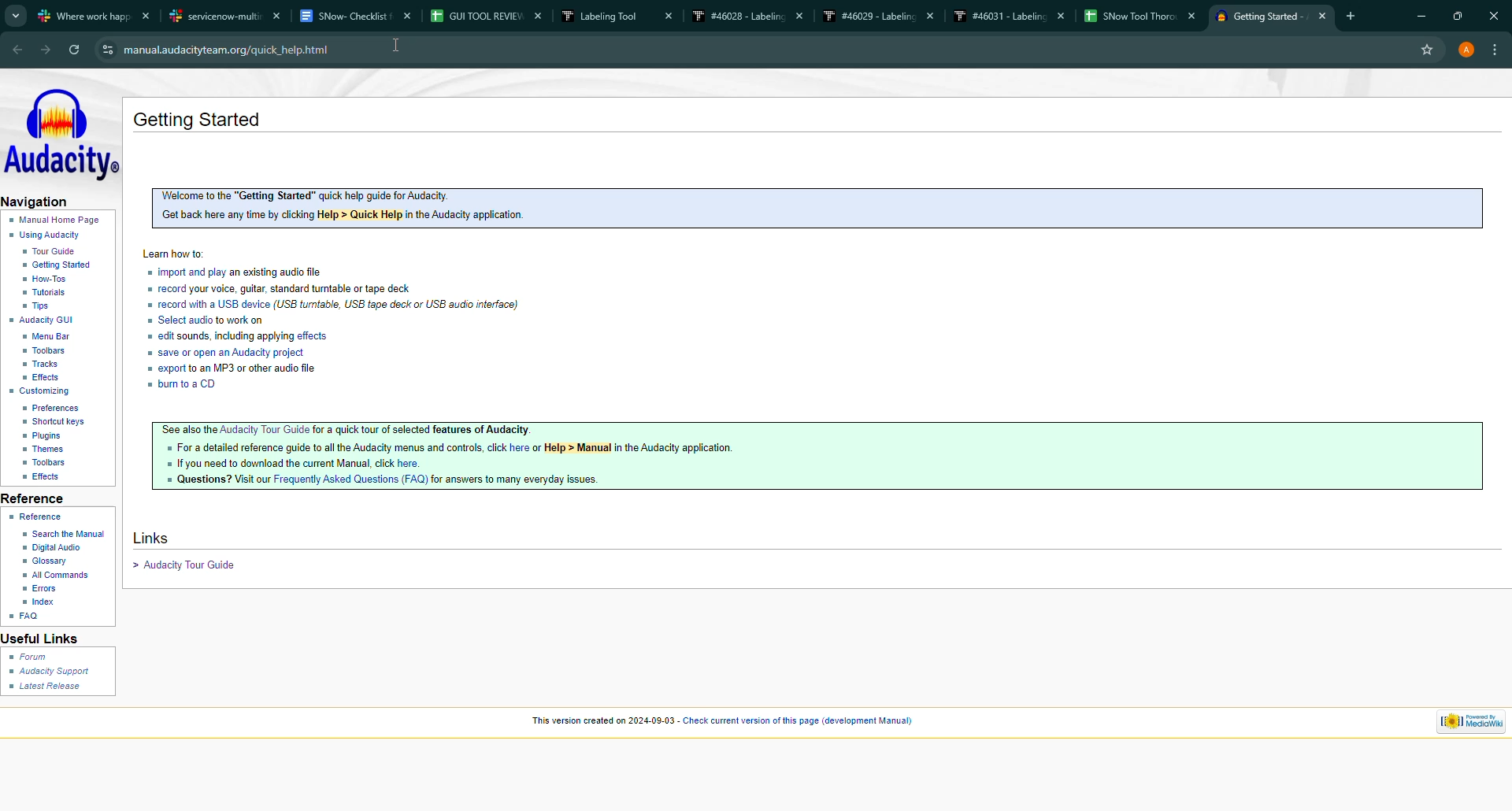 This screenshot has height=811, width=1512. I want to click on including applying, so click(254, 336).